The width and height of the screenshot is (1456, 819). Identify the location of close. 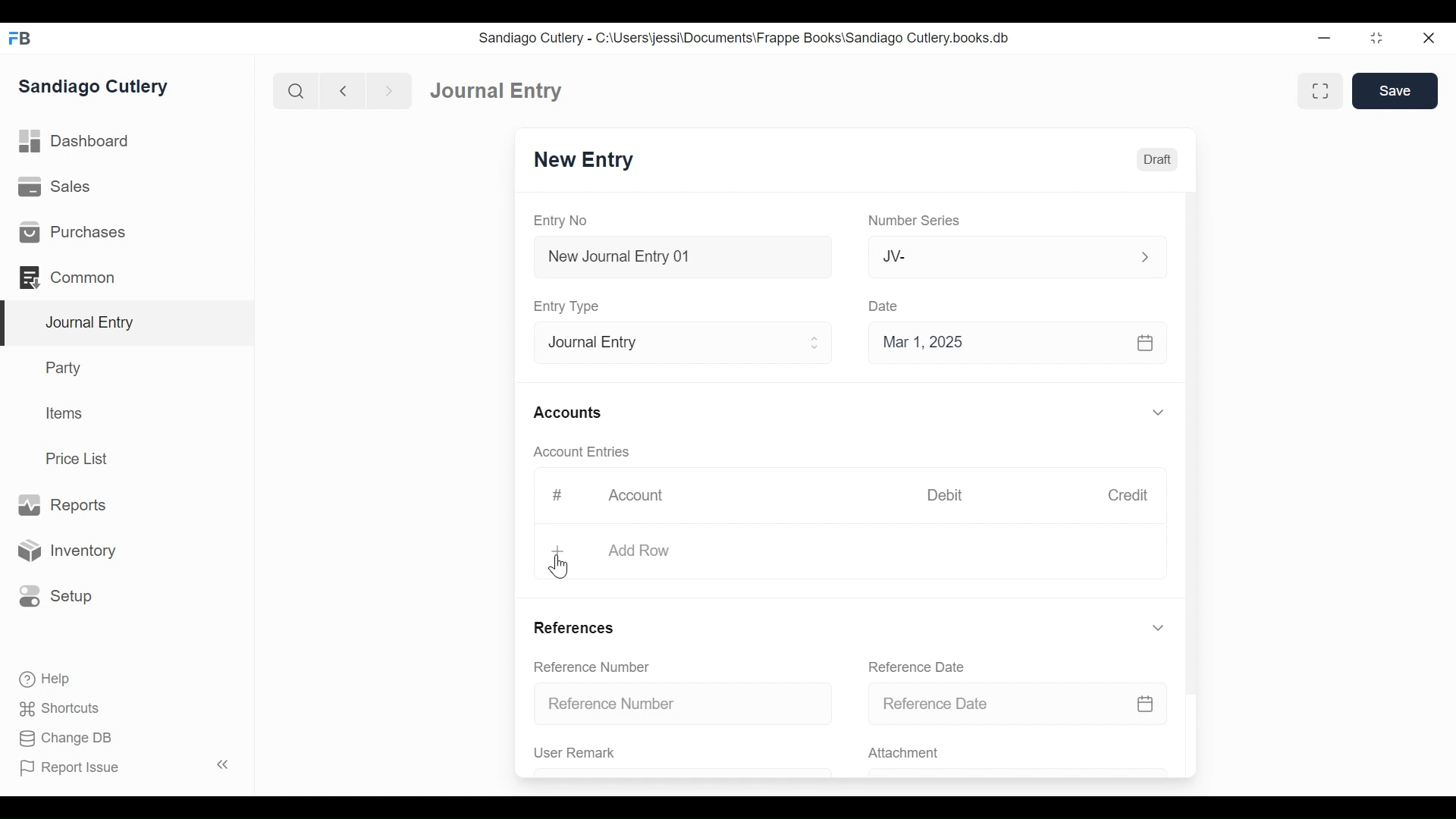
(1434, 36).